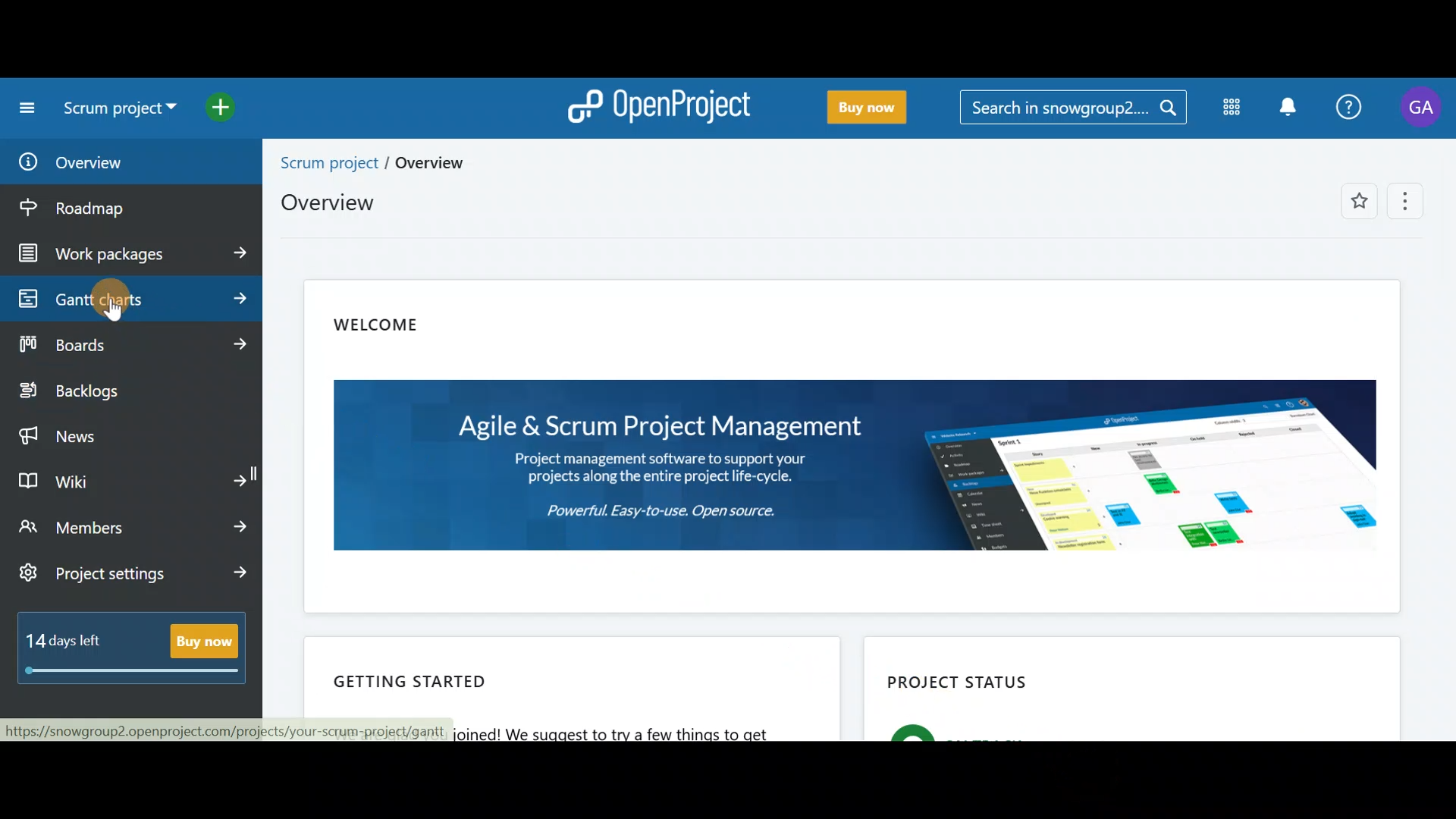 The image size is (1456, 819). I want to click on Modules, so click(1229, 108).